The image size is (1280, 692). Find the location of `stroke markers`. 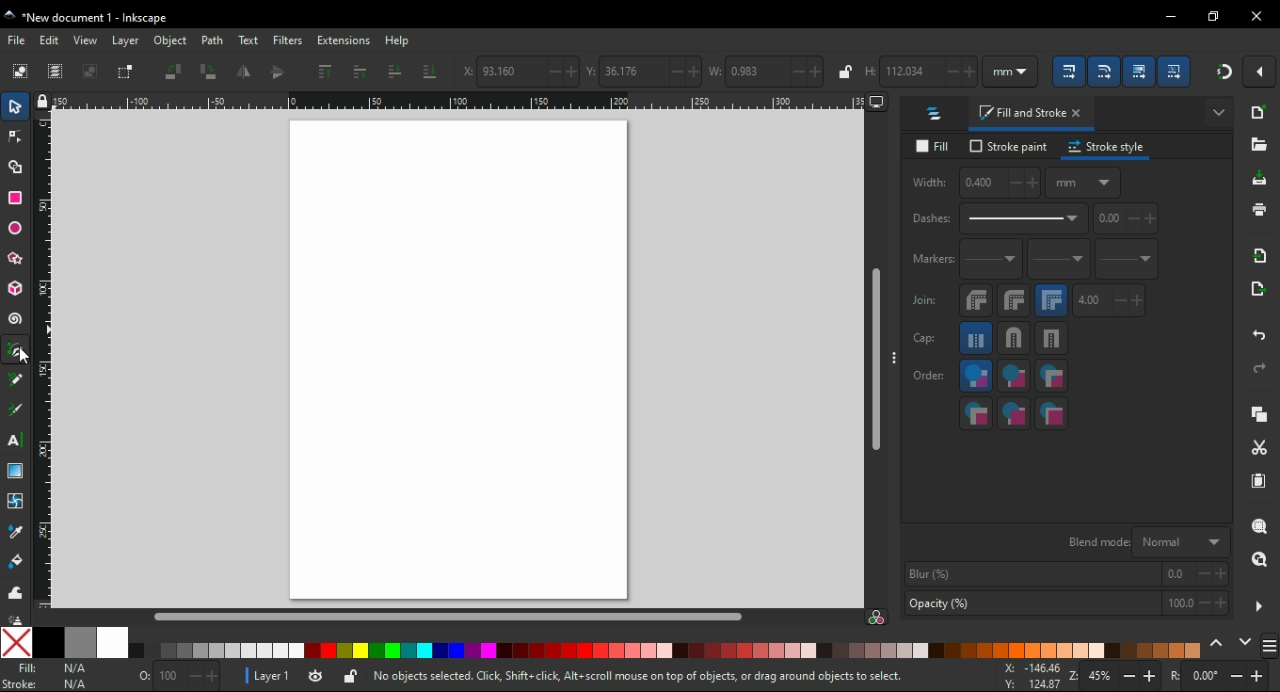

stroke markers is located at coordinates (1014, 413).